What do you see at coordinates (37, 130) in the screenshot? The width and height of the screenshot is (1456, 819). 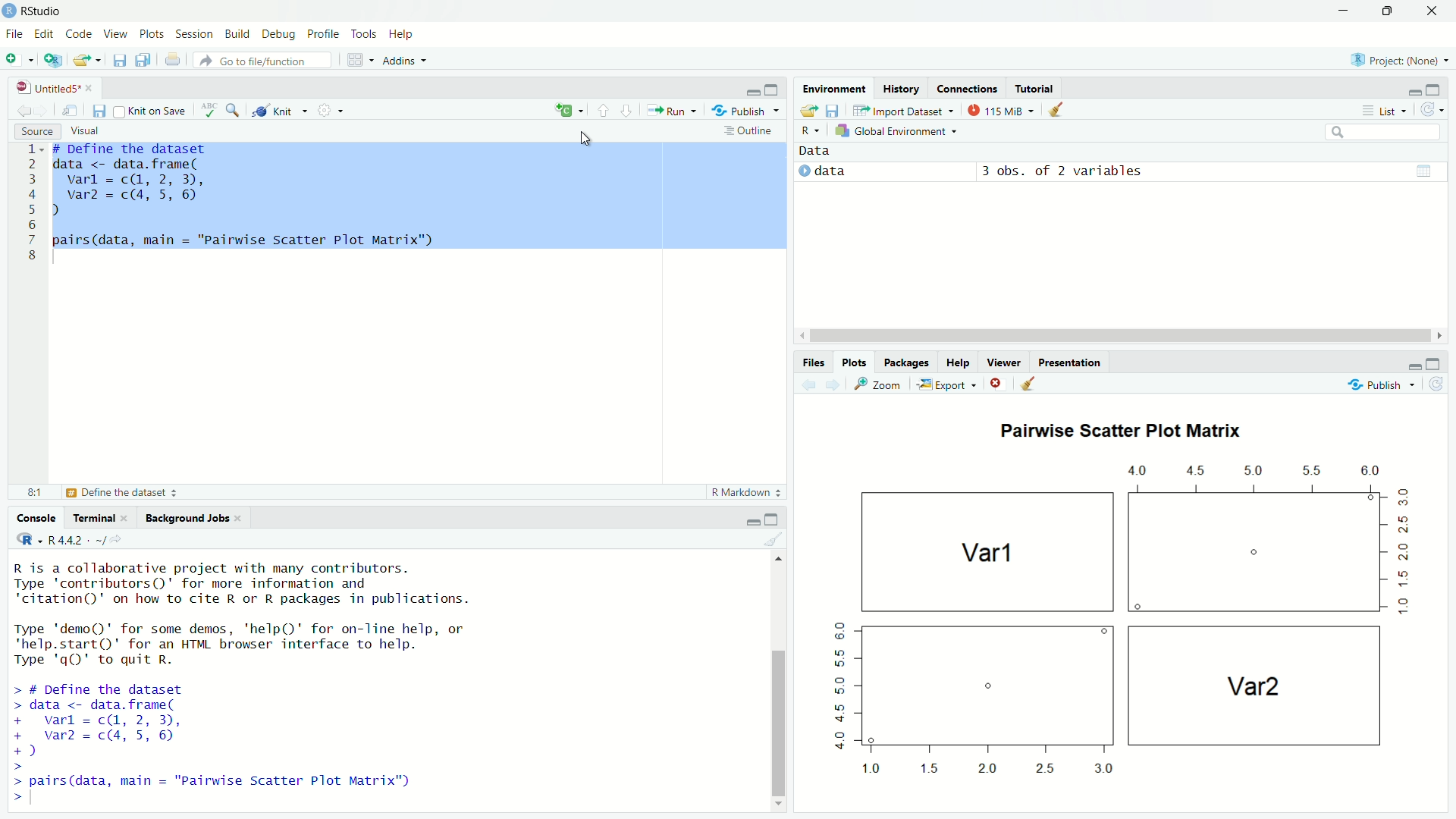 I see `Source` at bounding box center [37, 130].